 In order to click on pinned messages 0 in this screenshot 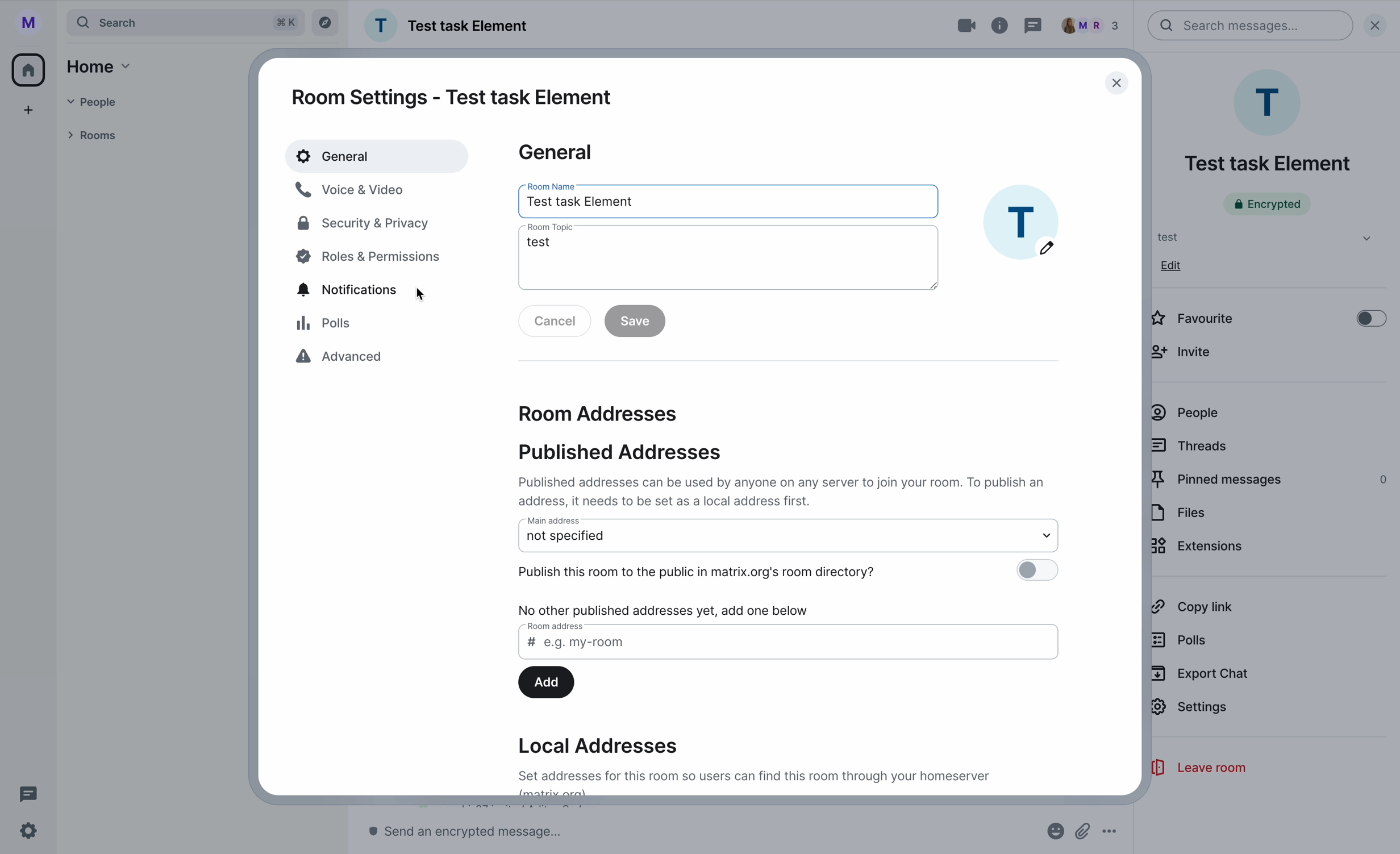, I will do `click(1270, 480)`.